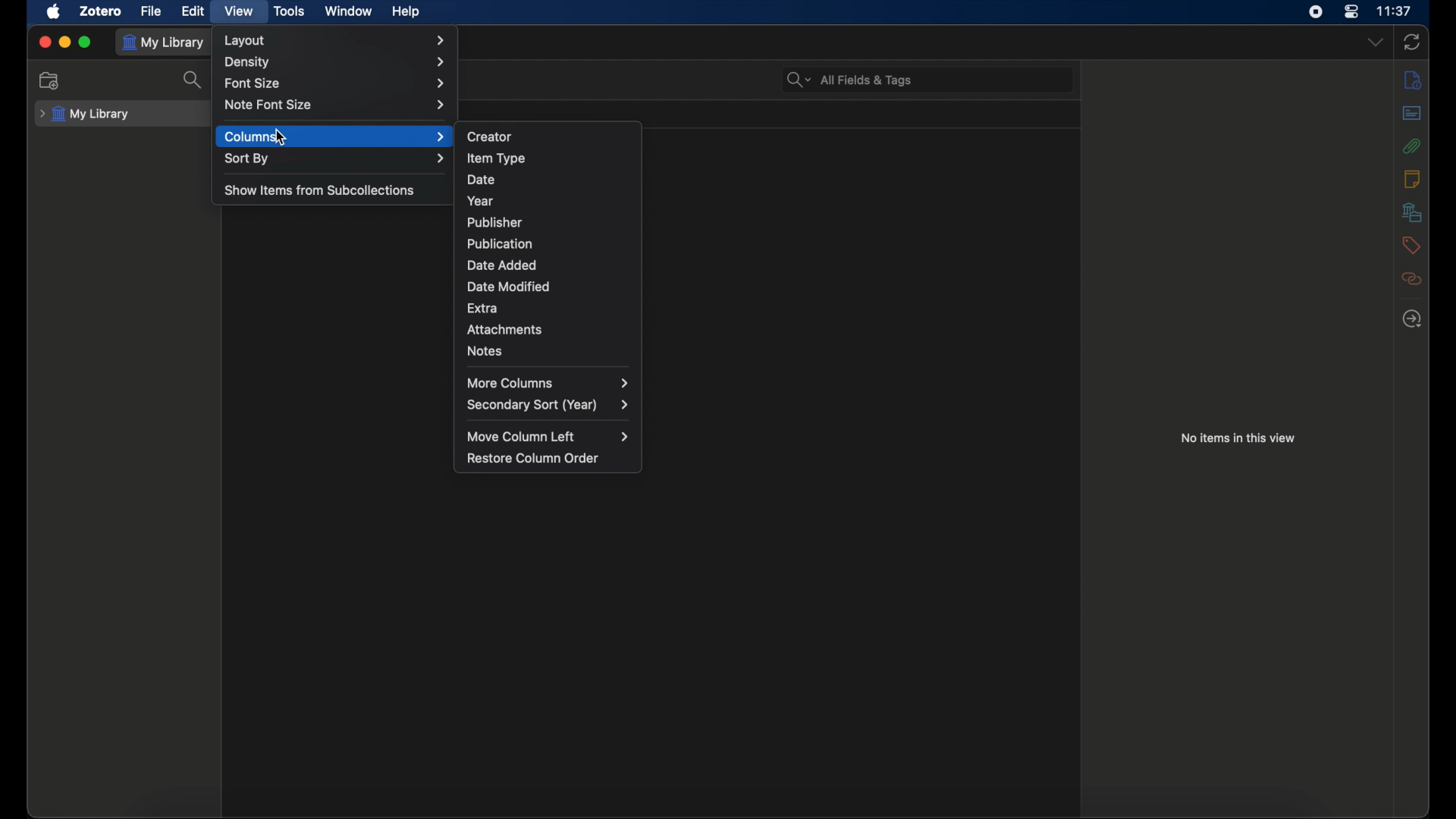 The height and width of the screenshot is (819, 1456). I want to click on font size, so click(334, 82).